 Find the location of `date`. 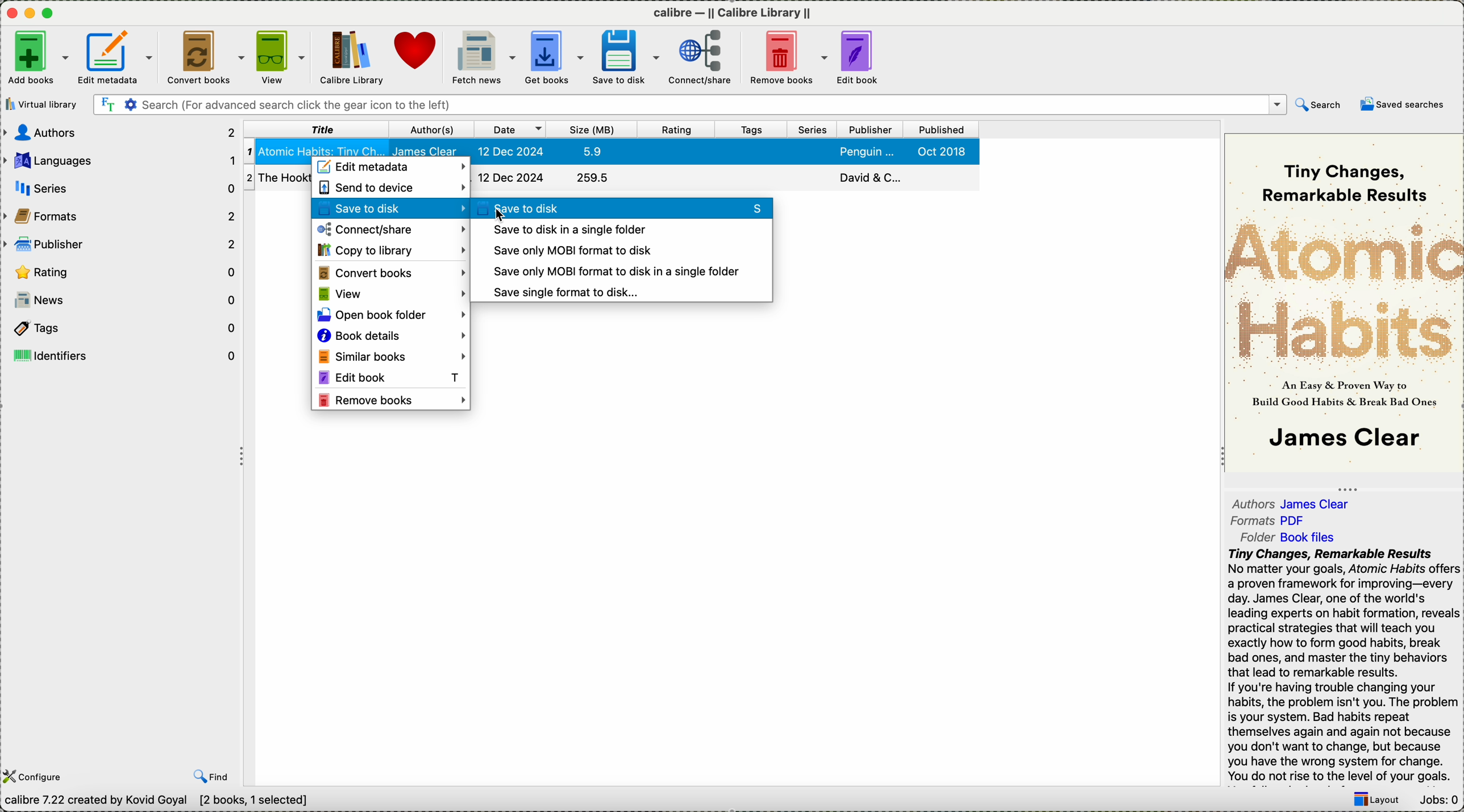

date is located at coordinates (509, 128).